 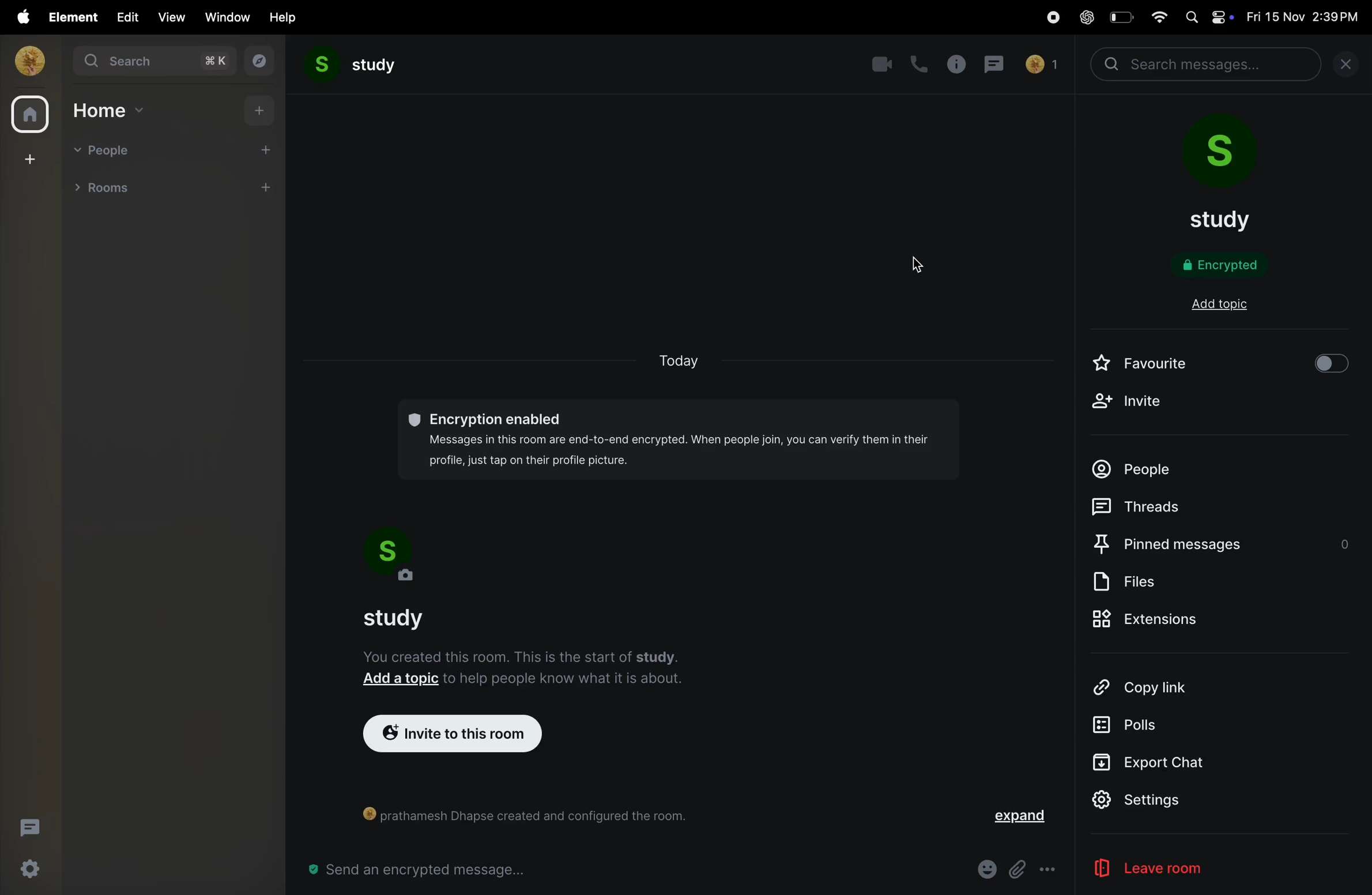 What do you see at coordinates (1137, 506) in the screenshot?
I see `threads` at bounding box center [1137, 506].